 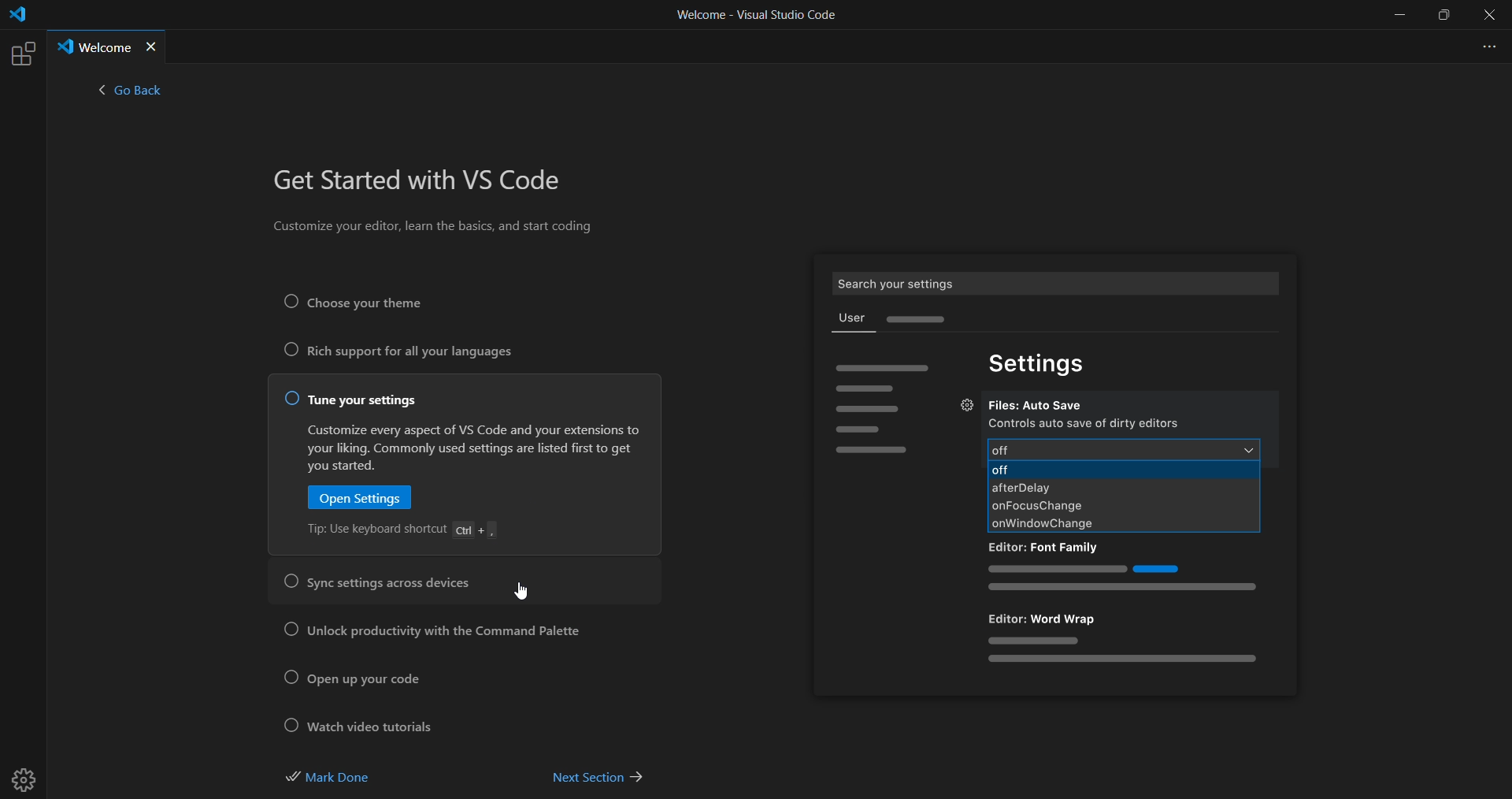 What do you see at coordinates (963, 405) in the screenshot?
I see `settings` at bounding box center [963, 405].